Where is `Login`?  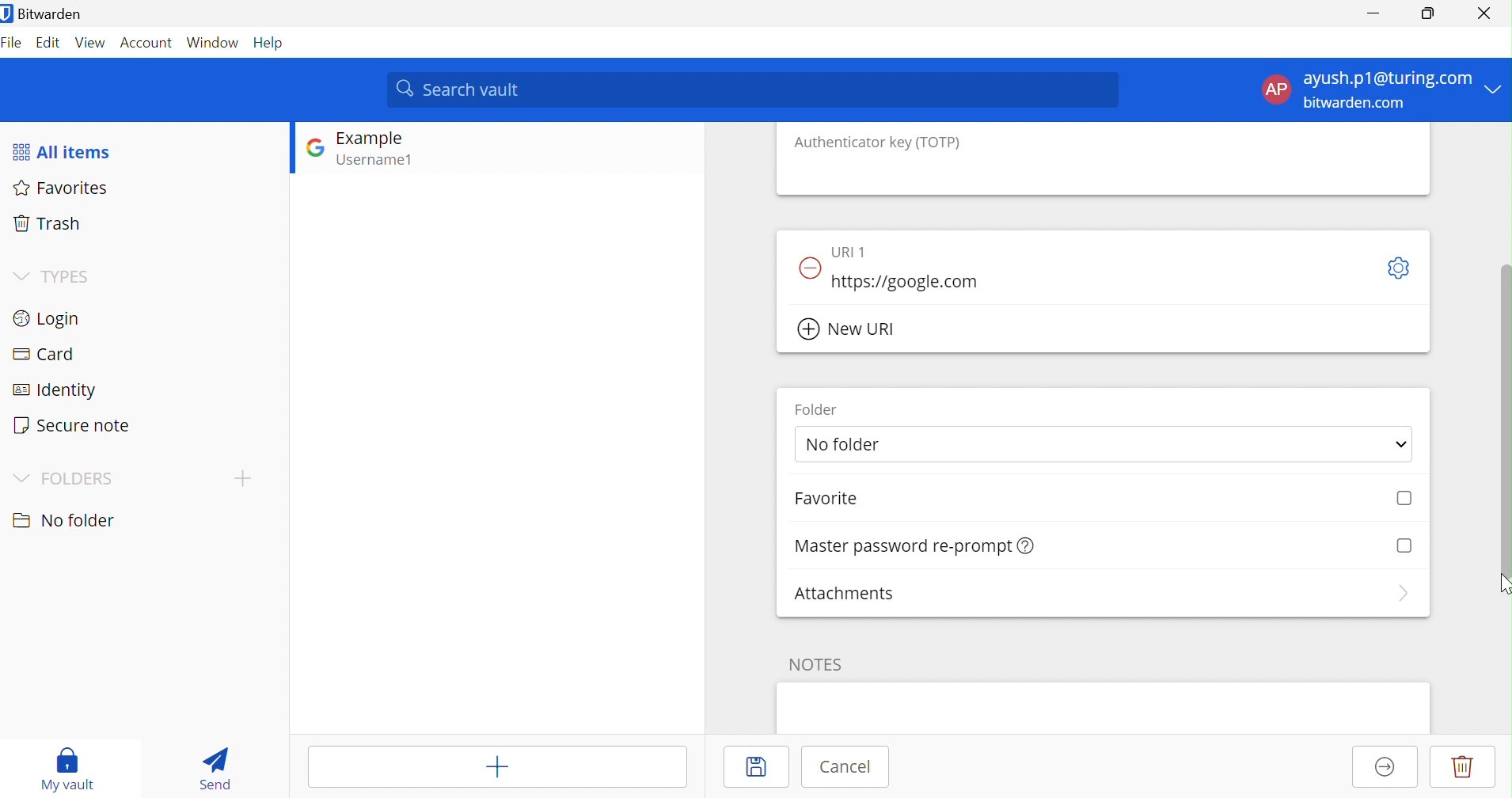 Login is located at coordinates (47, 317).